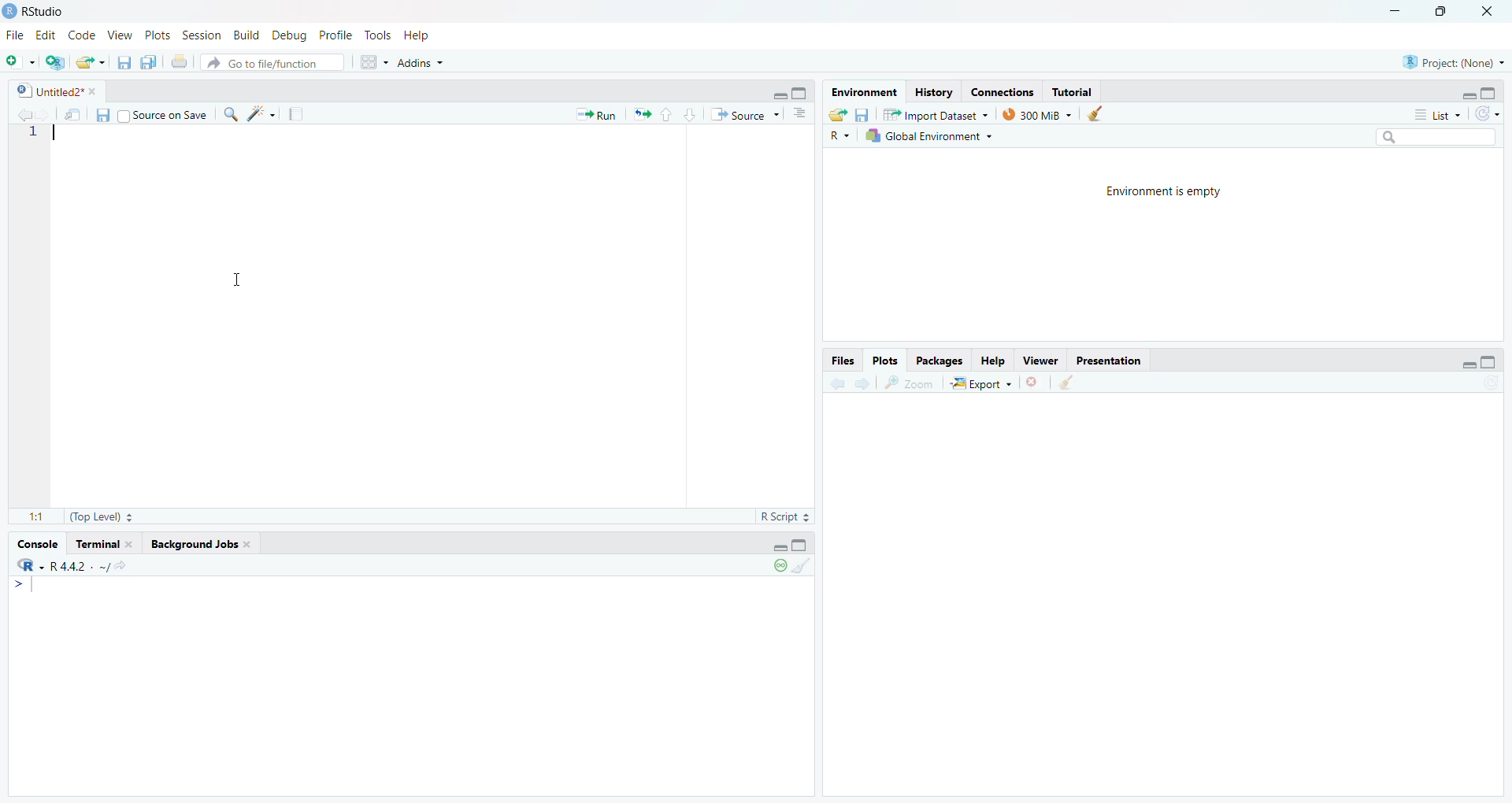  What do you see at coordinates (598, 116) in the screenshot?
I see ` Run` at bounding box center [598, 116].